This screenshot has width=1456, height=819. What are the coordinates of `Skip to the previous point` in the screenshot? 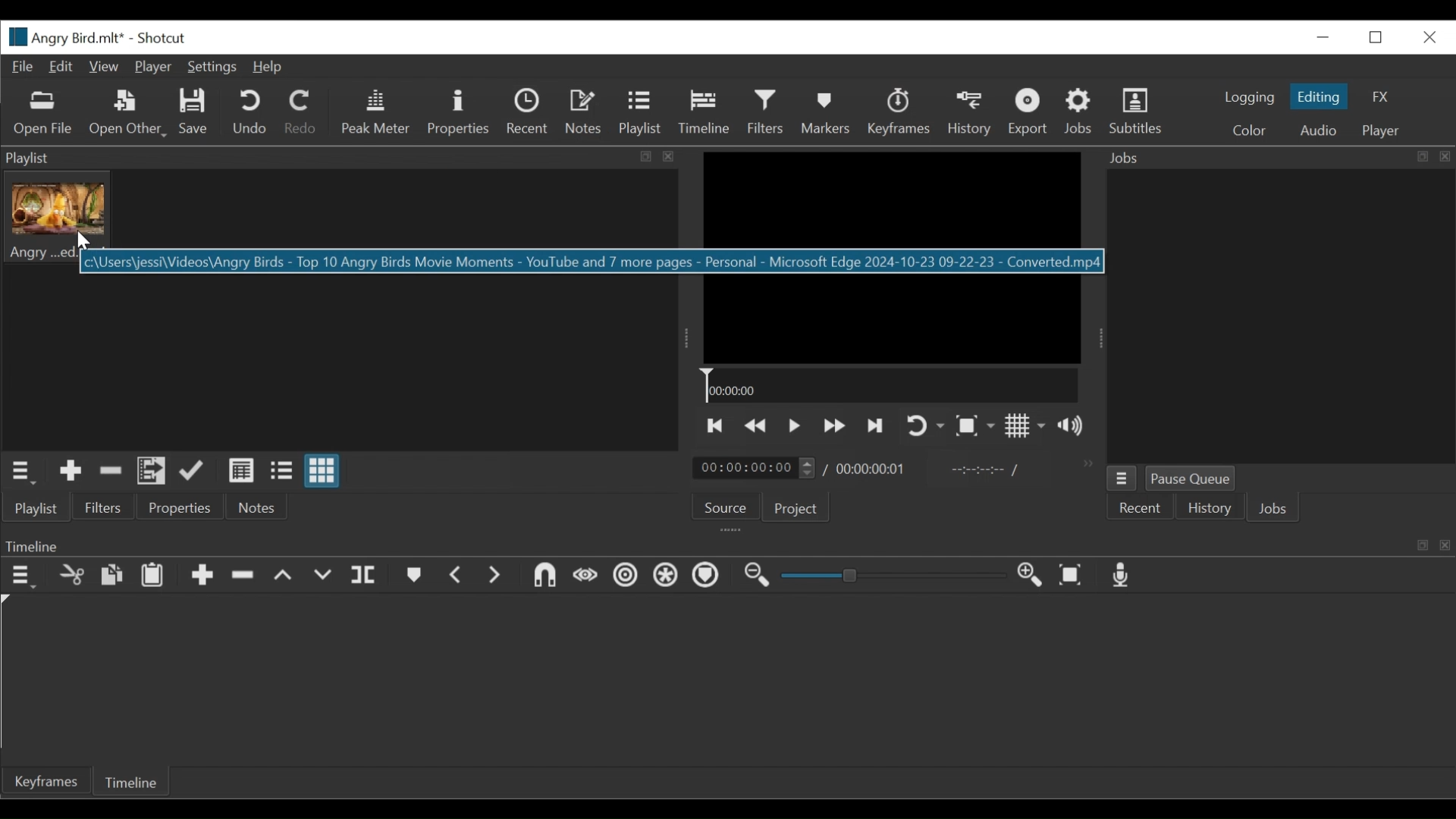 It's located at (717, 427).